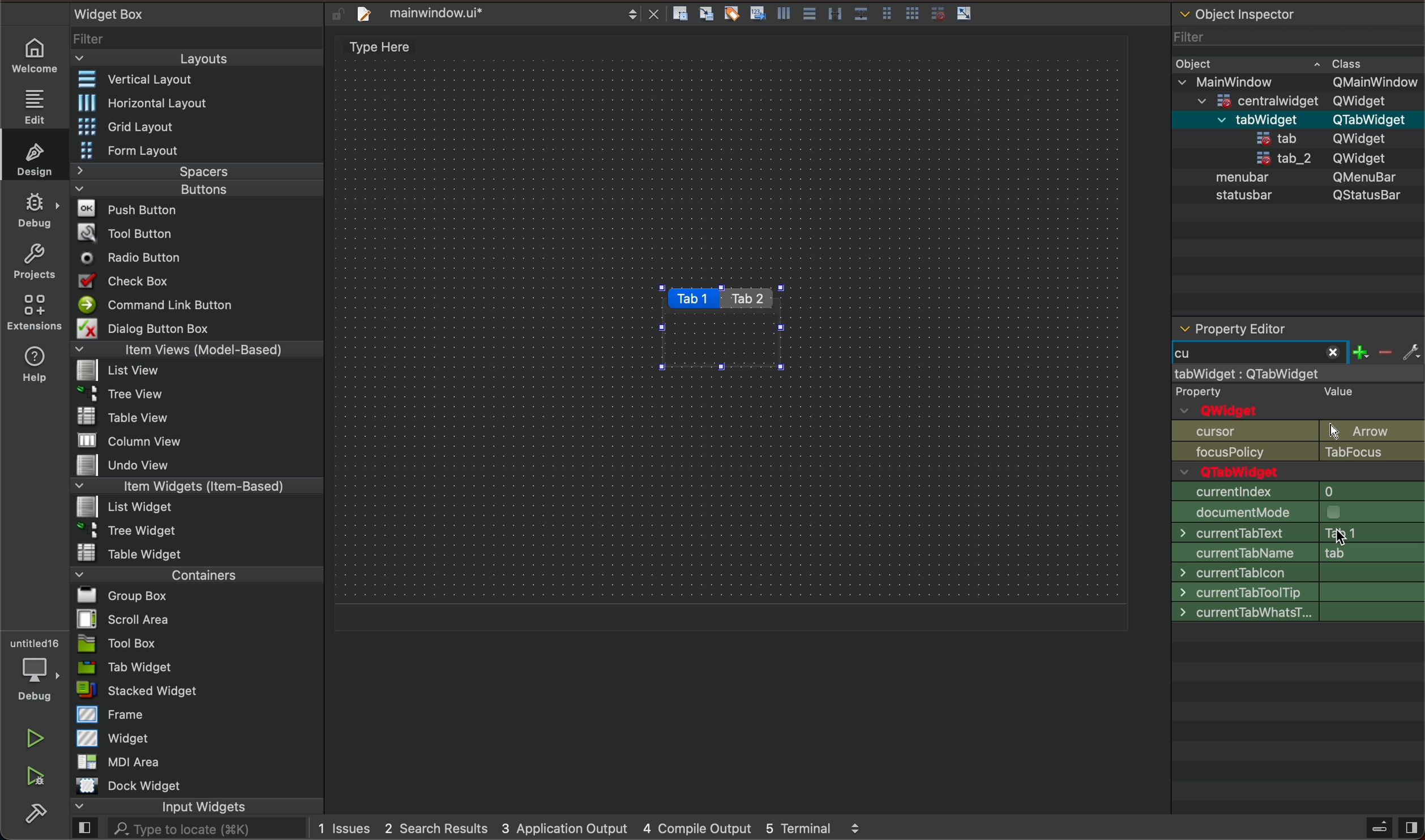 Image resolution: width=1425 pixels, height=840 pixels. I want to click on play, so click(35, 740).